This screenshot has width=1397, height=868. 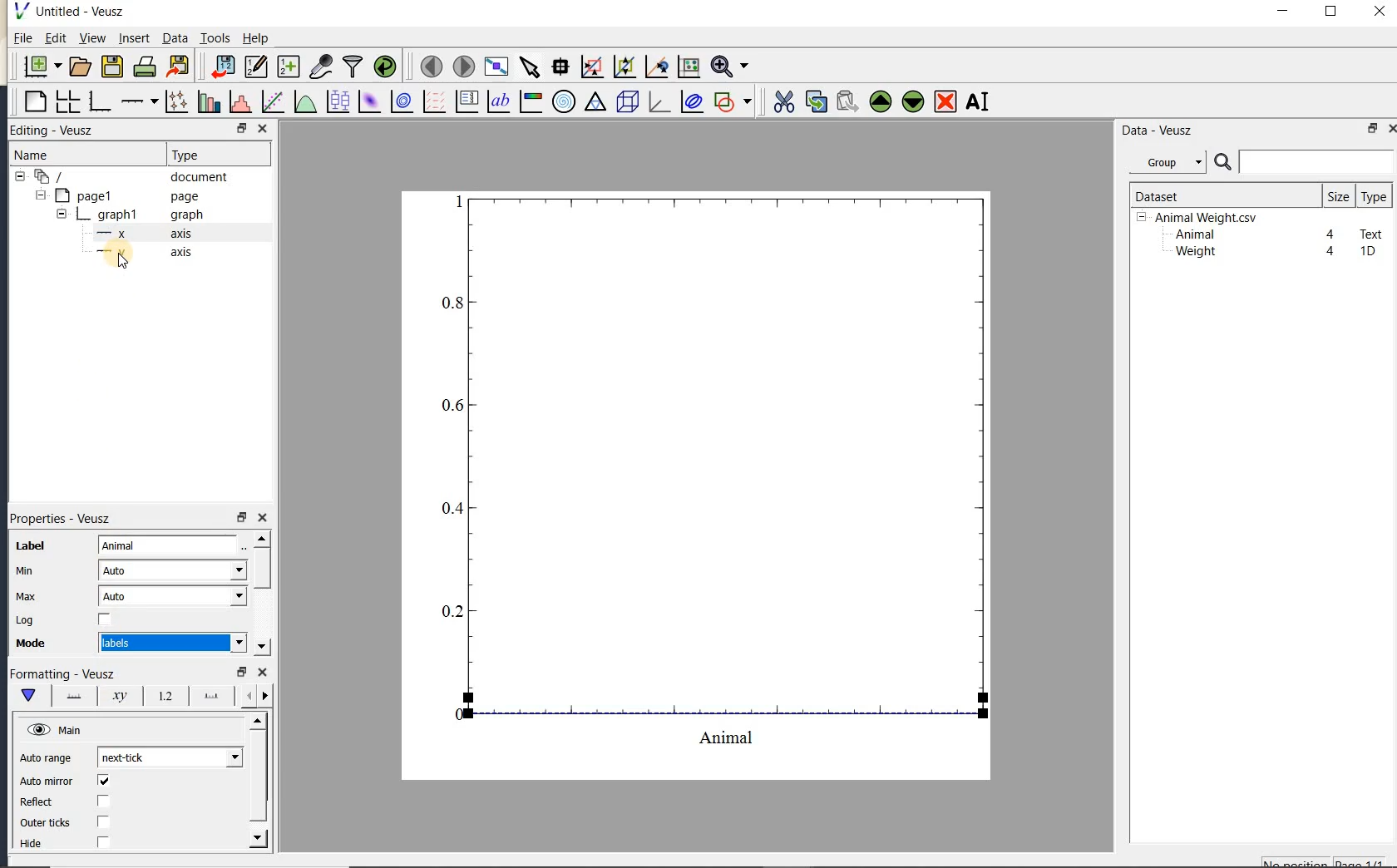 I want to click on filter data, so click(x=353, y=65).